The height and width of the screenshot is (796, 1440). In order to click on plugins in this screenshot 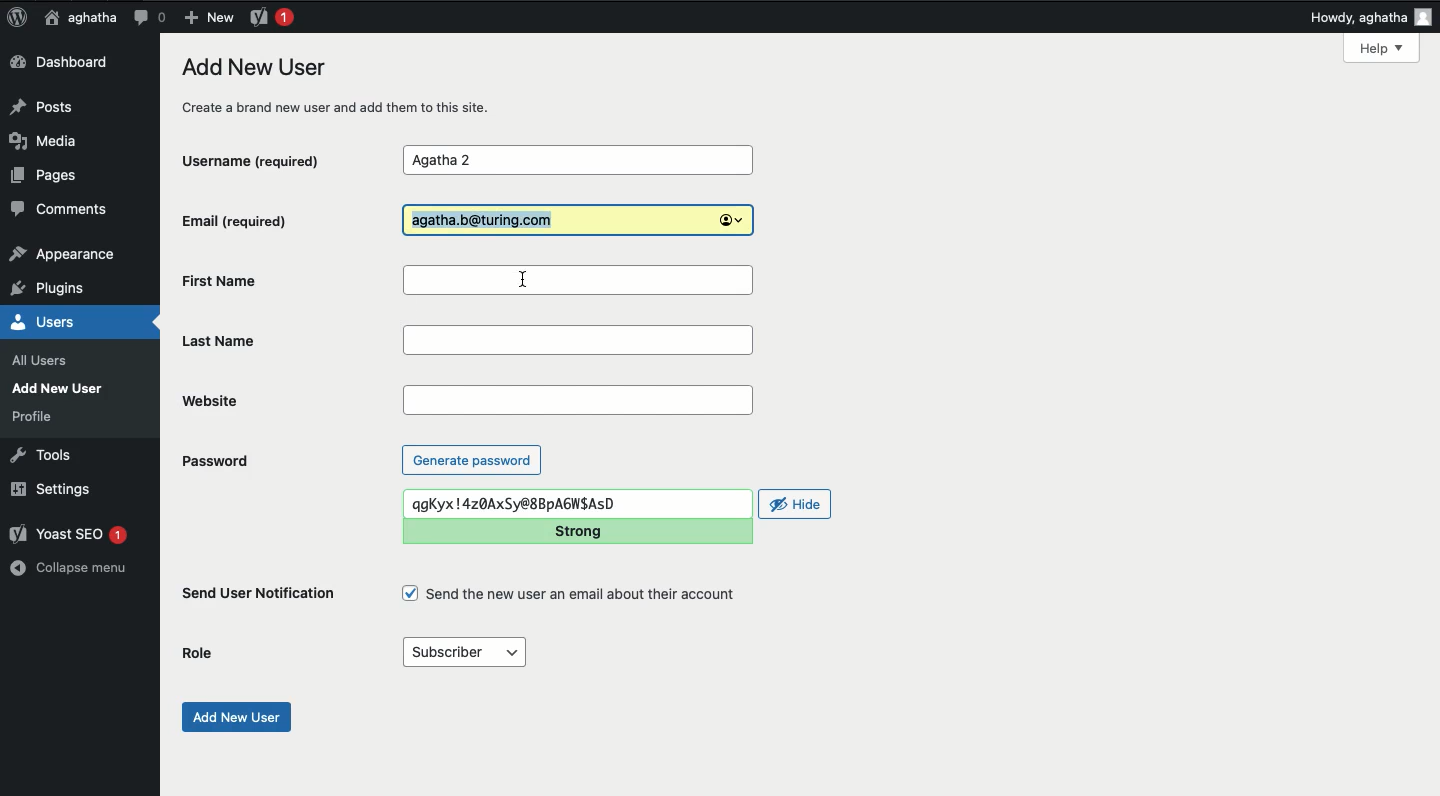, I will do `click(58, 289)`.